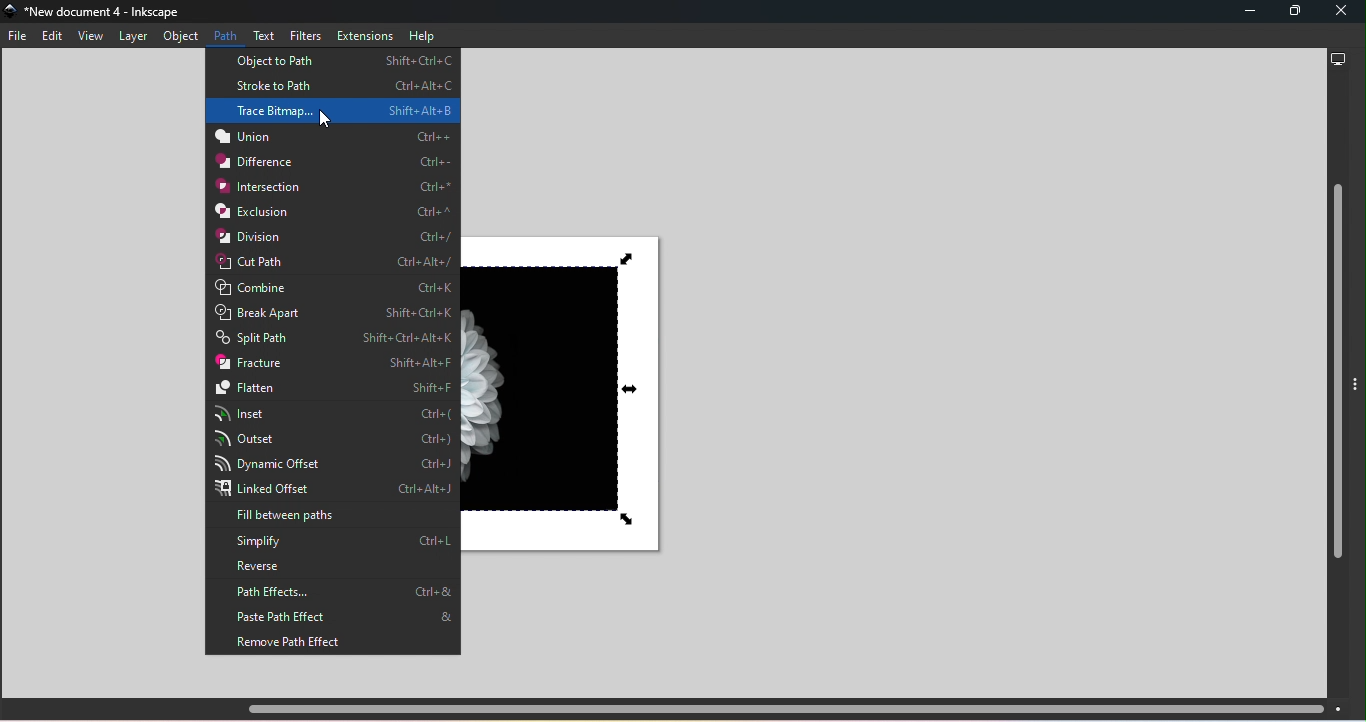 The image size is (1366, 722). What do you see at coordinates (333, 414) in the screenshot?
I see `Inset` at bounding box center [333, 414].